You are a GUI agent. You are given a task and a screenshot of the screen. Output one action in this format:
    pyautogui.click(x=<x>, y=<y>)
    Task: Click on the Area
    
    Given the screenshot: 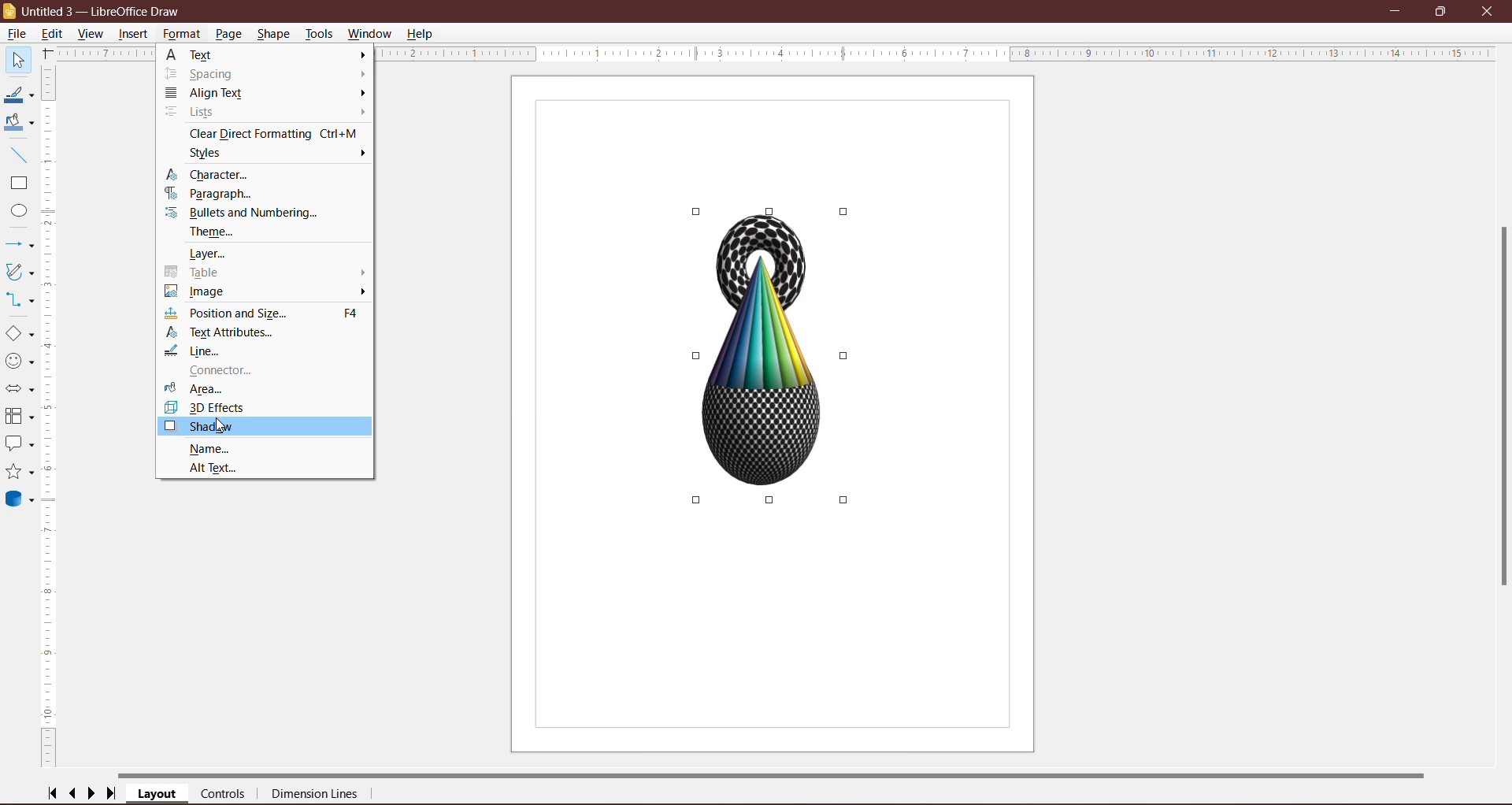 What is the action you would take?
    pyautogui.click(x=197, y=388)
    